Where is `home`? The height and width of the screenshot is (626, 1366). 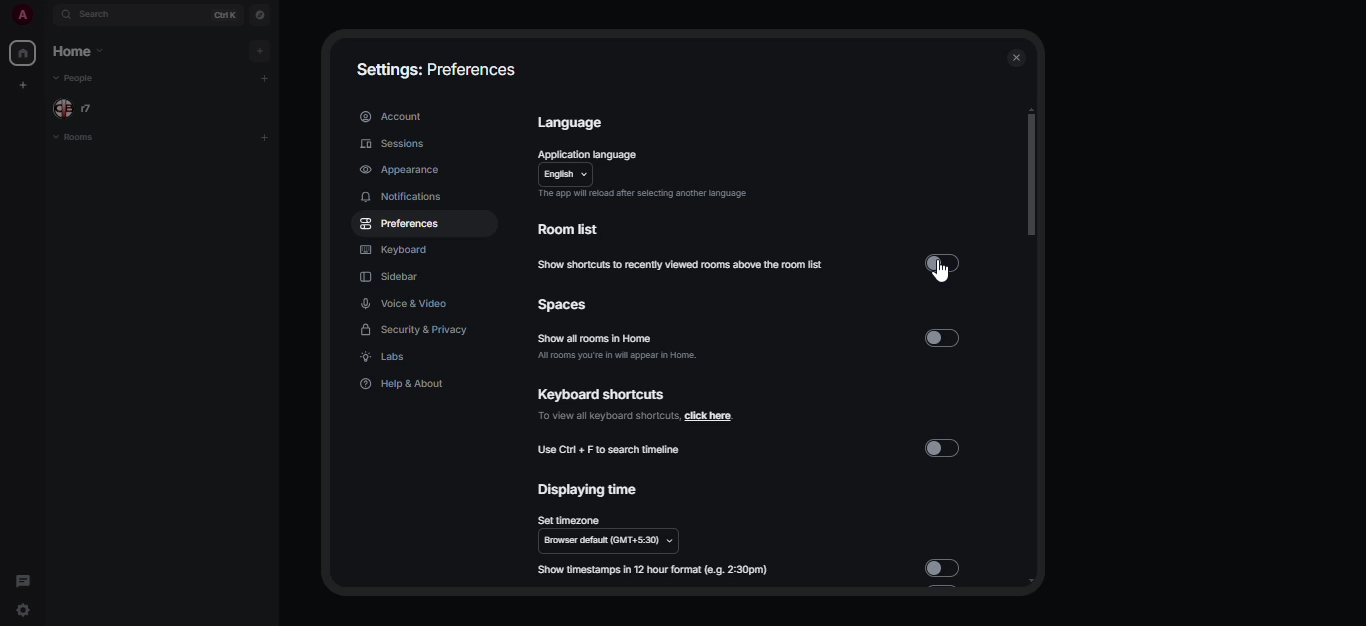
home is located at coordinates (25, 53).